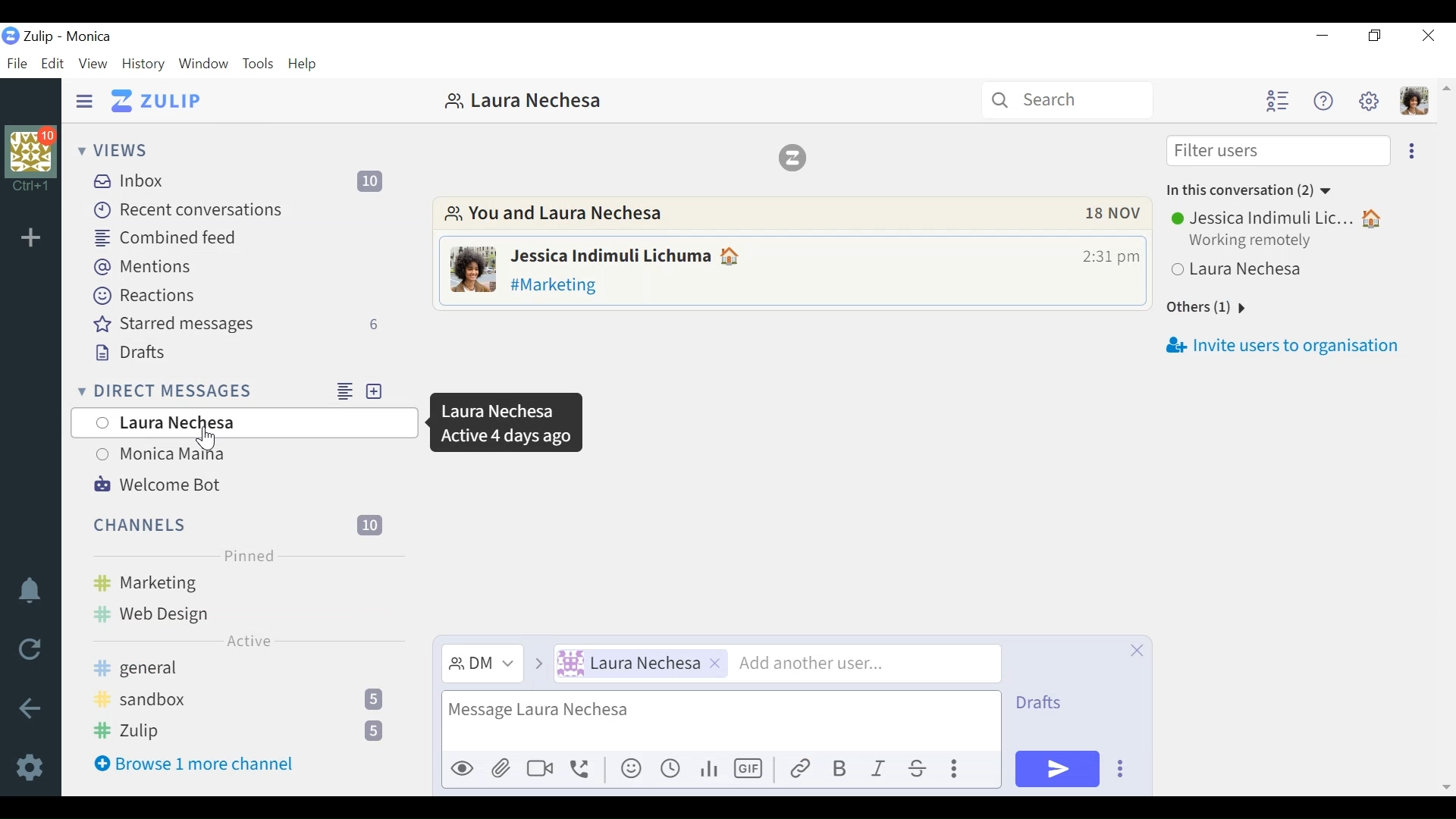 Image resolution: width=1456 pixels, height=819 pixels. I want to click on Add GIF, so click(752, 770).